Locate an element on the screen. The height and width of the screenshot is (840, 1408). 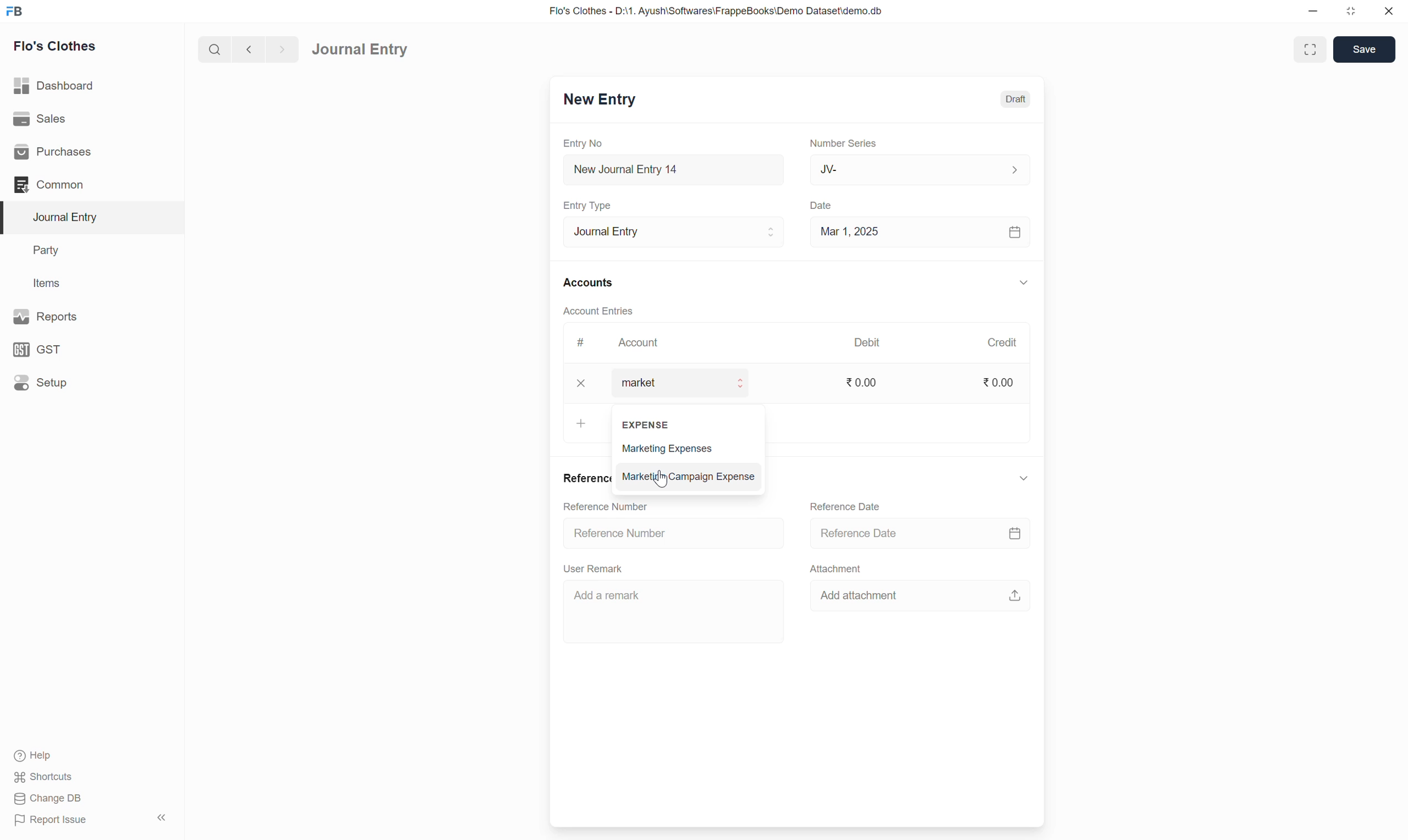
Report Issue is located at coordinates (55, 821).